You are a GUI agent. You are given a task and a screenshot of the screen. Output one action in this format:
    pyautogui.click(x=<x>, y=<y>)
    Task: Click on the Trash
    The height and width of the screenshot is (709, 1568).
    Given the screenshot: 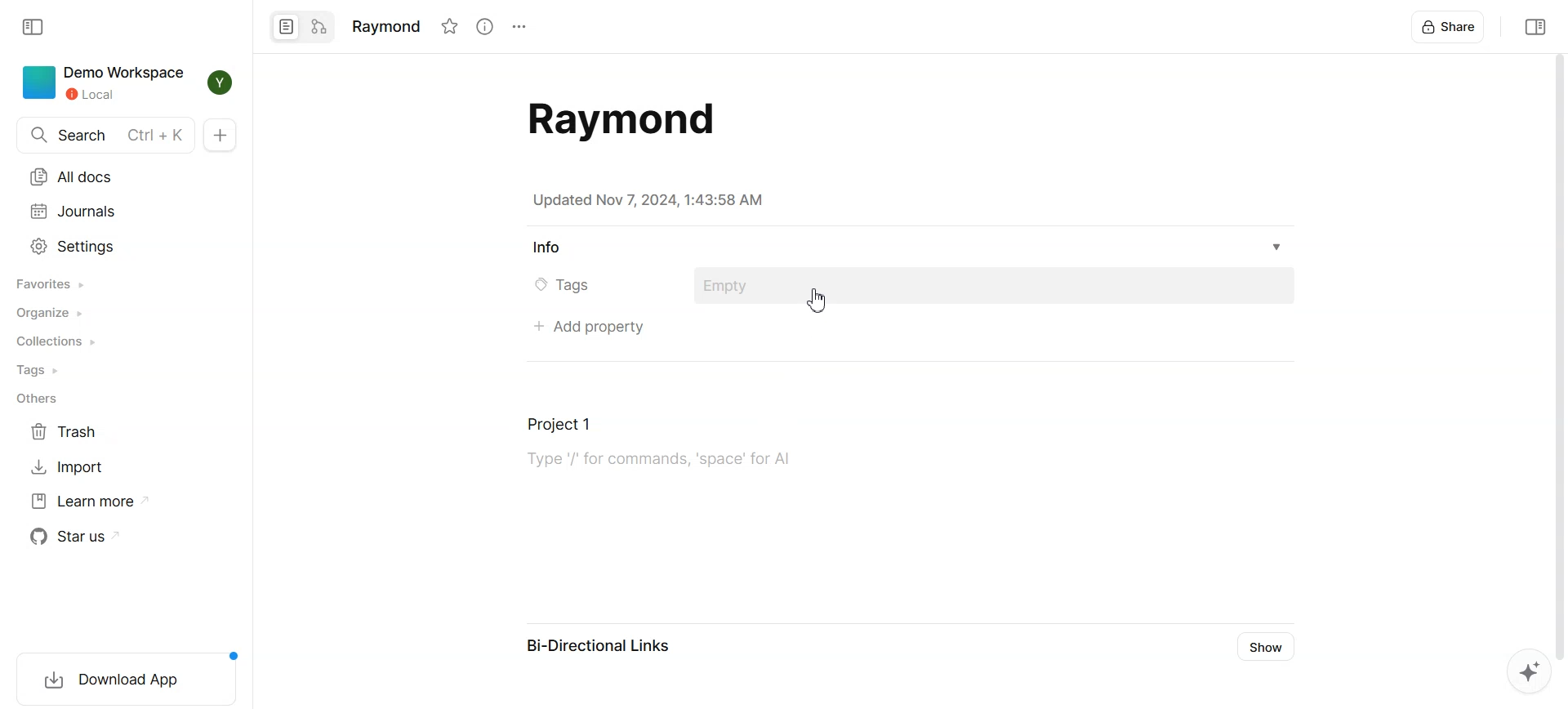 What is the action you would take?
    pyautogui.click(x=68, y=432)
    